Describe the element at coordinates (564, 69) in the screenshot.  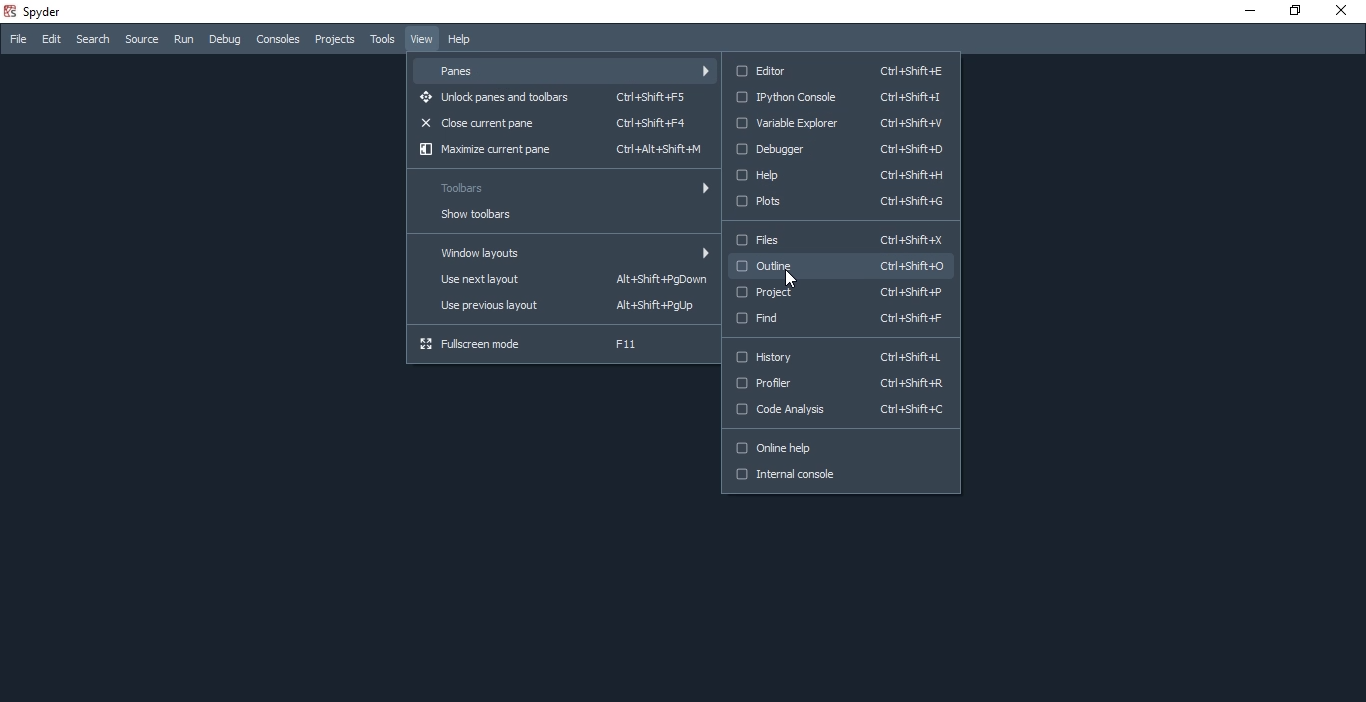
I see `Panes` at that location.